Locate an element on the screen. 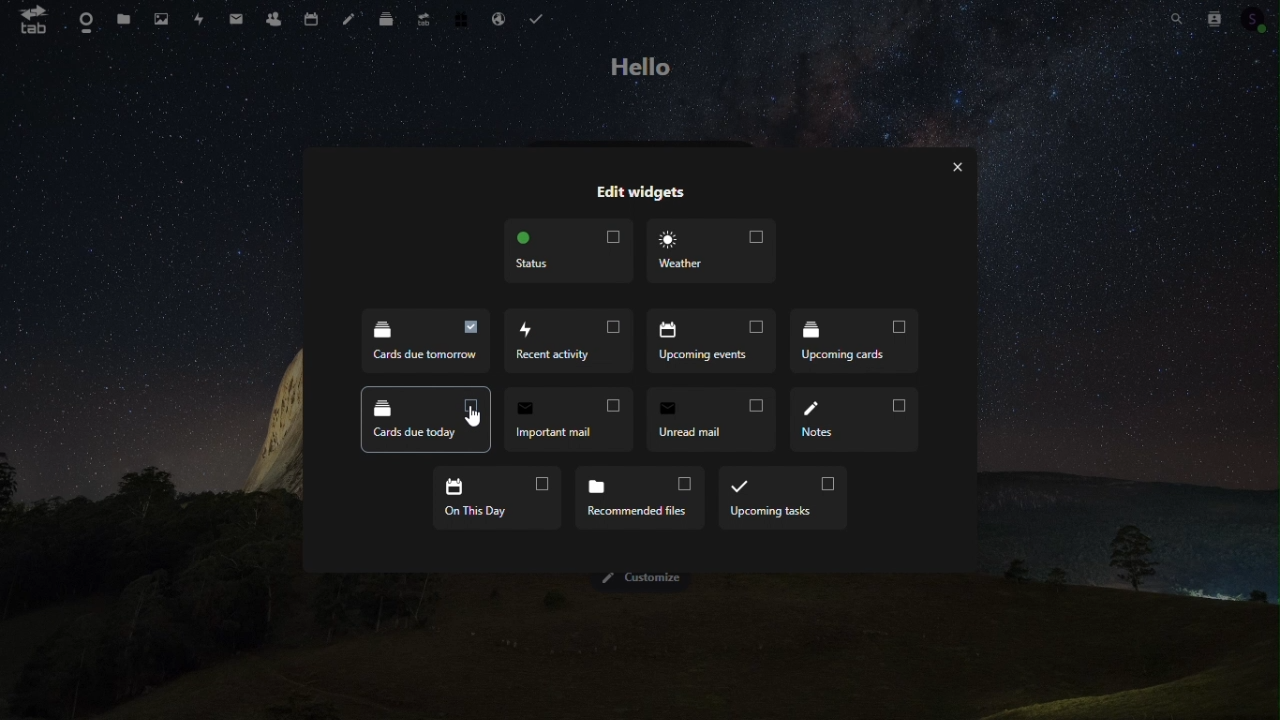 Image resolution: width=1280 pixels, height=720 pixels. Activity is located at coordinates (197, 18).